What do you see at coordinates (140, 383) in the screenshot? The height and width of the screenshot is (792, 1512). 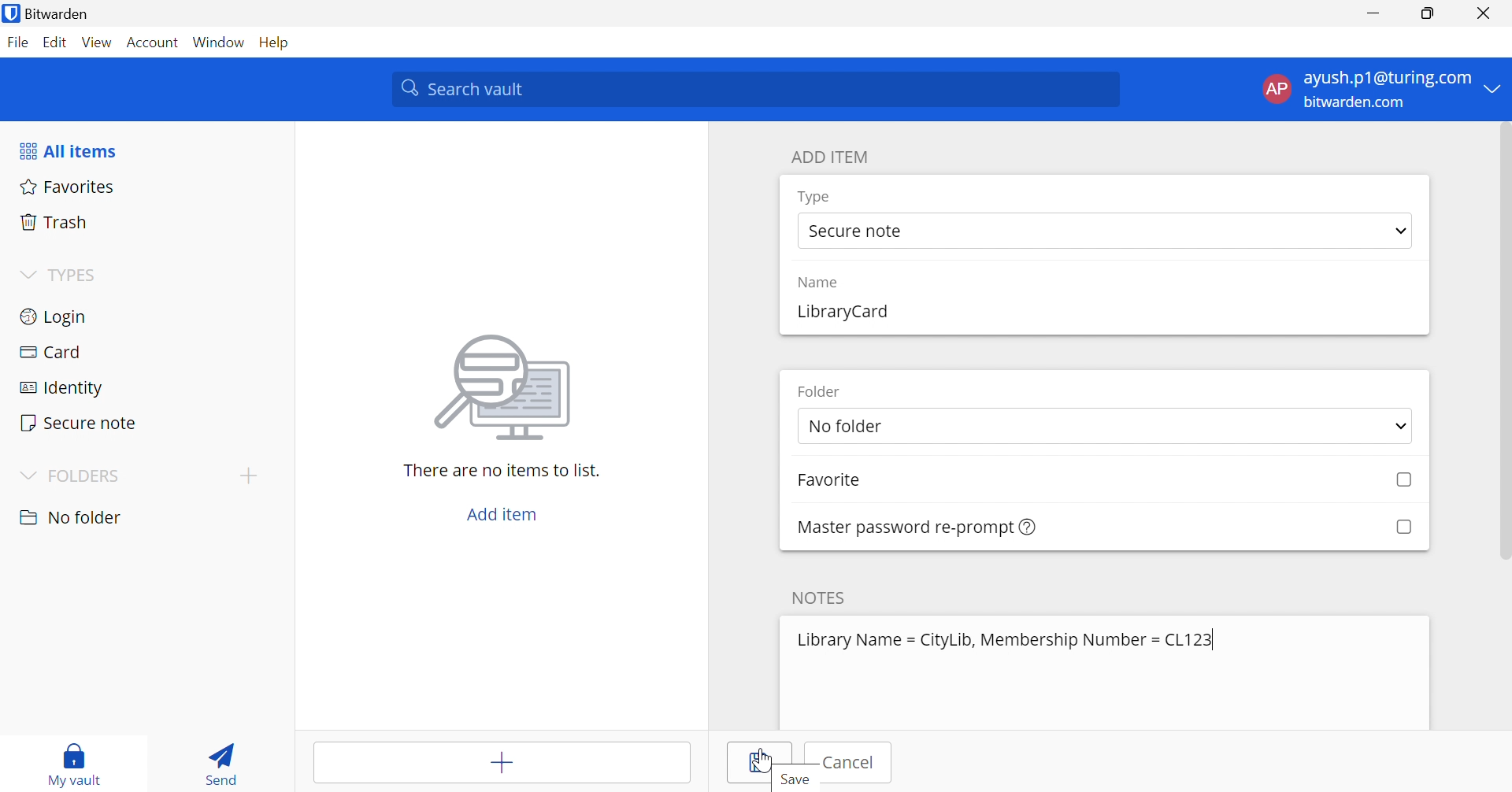 I see `Identity` at bounding box center [140, 383].